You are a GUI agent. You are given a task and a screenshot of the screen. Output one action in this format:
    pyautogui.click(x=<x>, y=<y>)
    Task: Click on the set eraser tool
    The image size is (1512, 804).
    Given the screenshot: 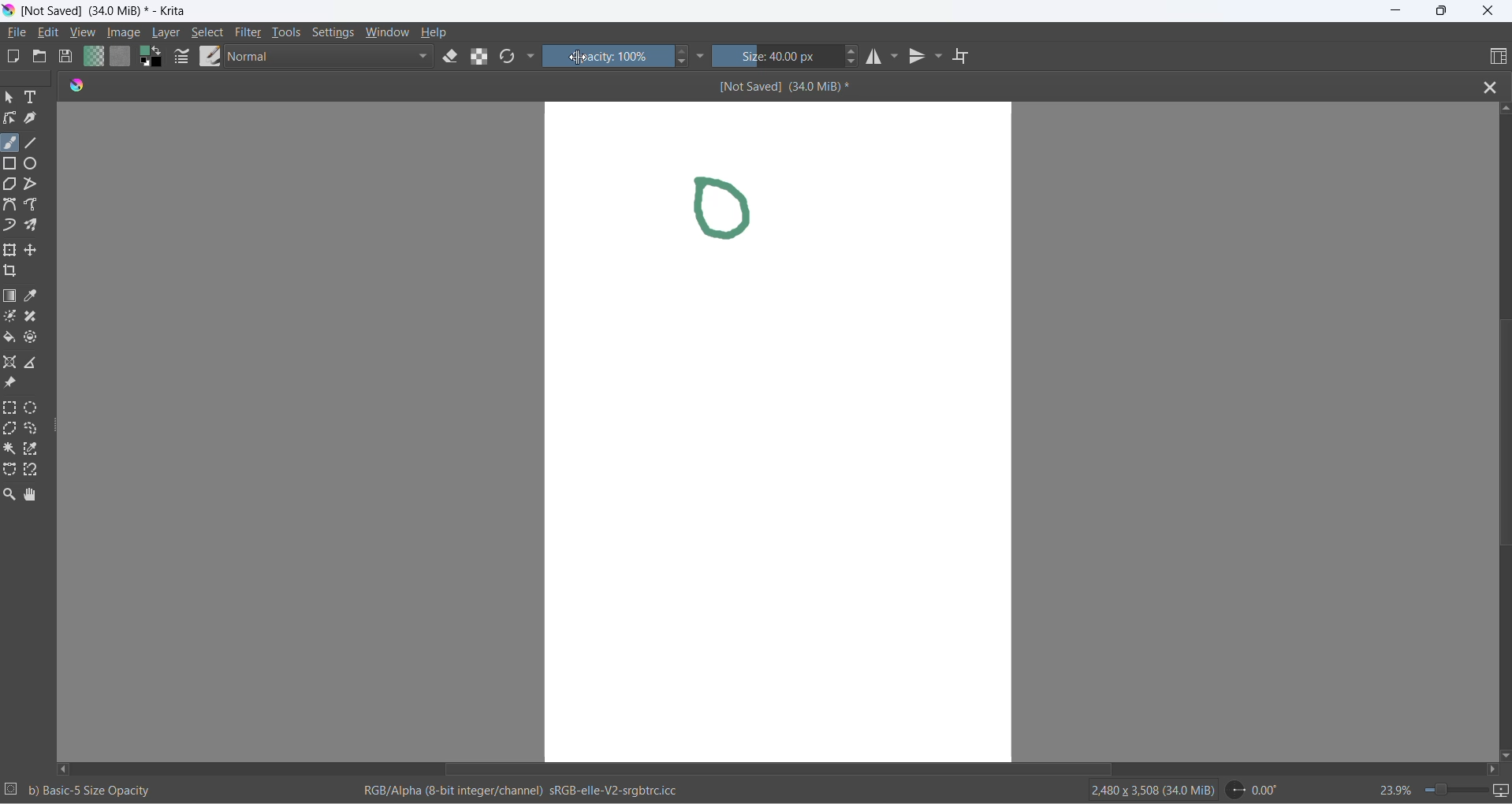 What is the action you would take?
    pyautogui.click(x=451, y=57)
    